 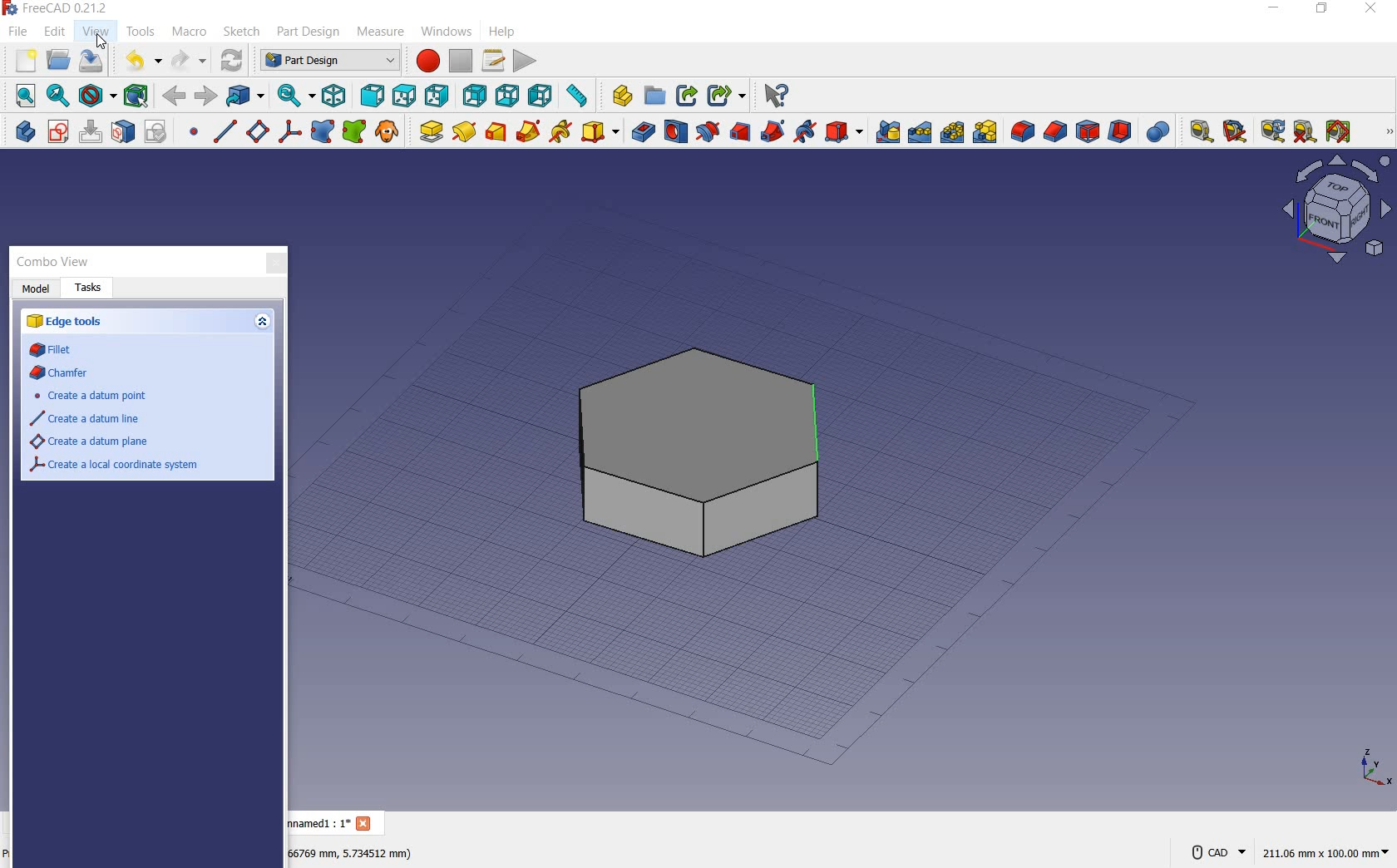 I want to click on map sketch to face, so click(x=124, y=132).